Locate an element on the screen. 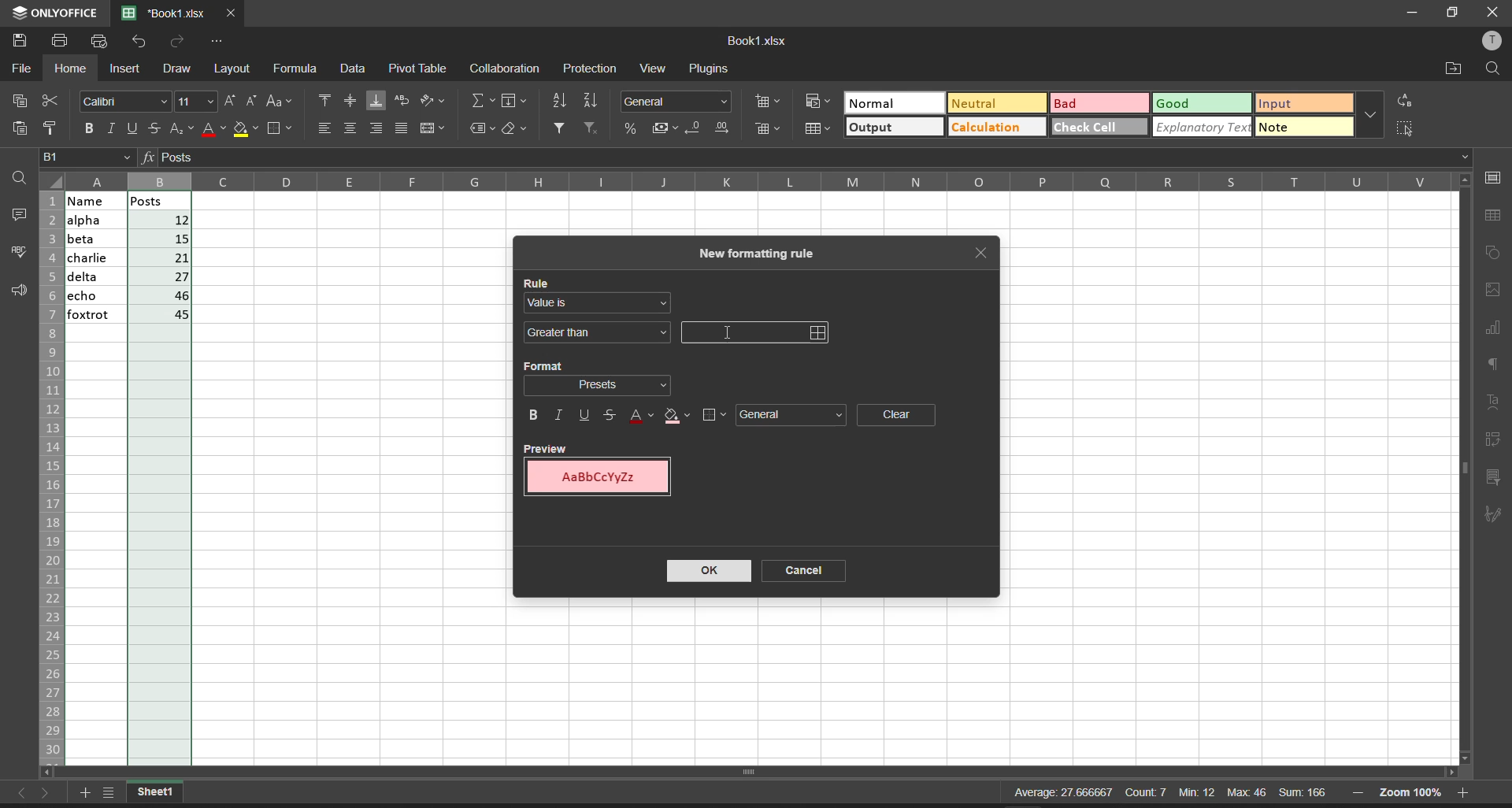  shape settings is located at coordinates (1499, 251).